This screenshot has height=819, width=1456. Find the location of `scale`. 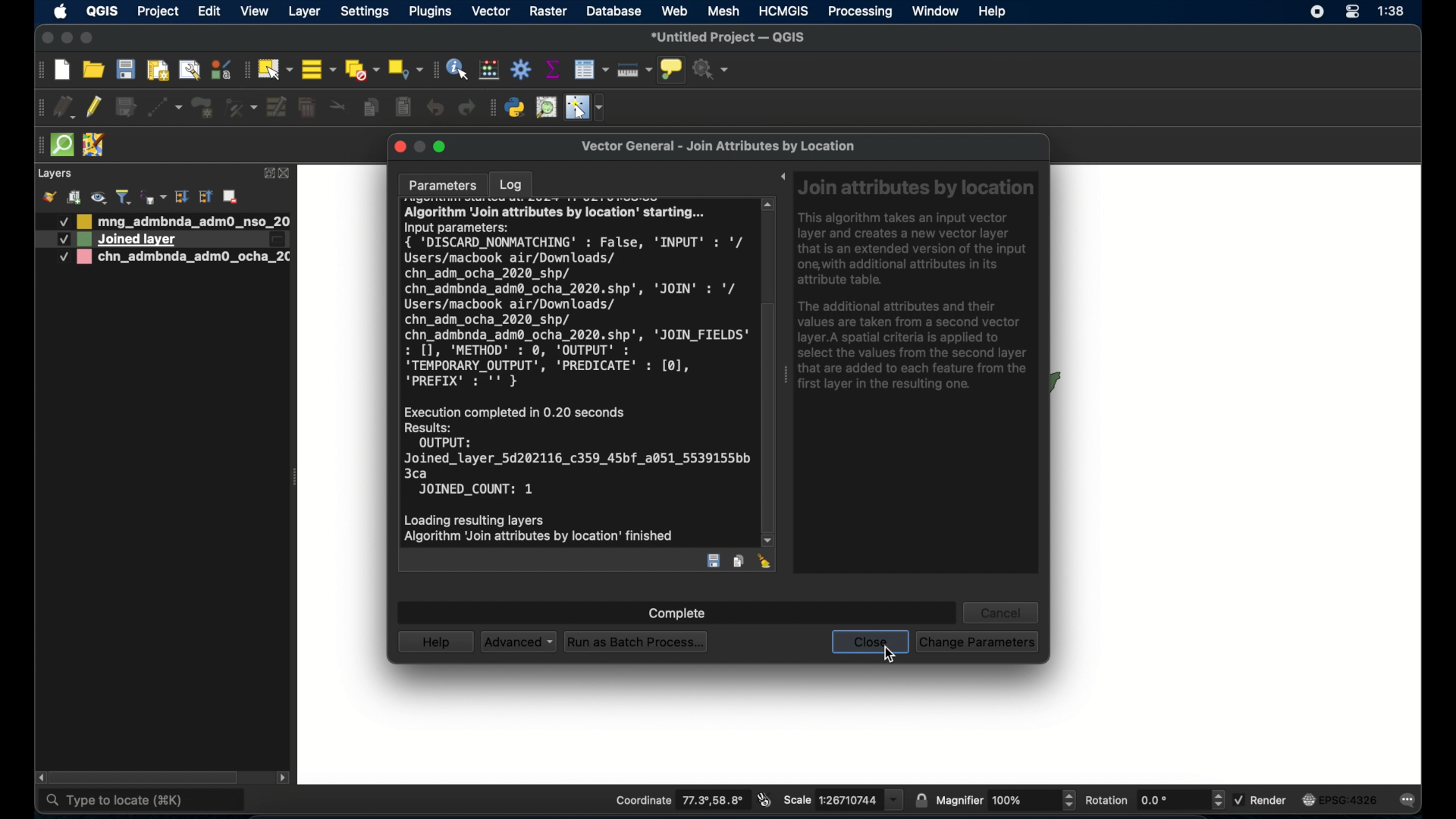

scale is located at coordinates (843, 799).